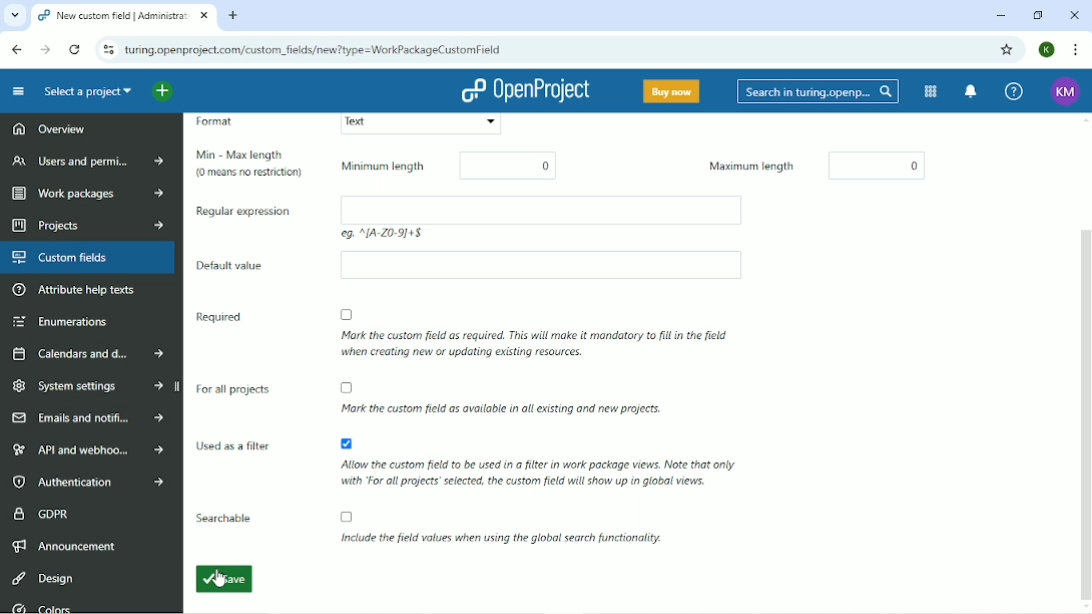 This screenshot has height=614, width=1092. What do you see at coordinates (1084, 361) in the screenshot?
I see `vertical scroll bar` at bounding box center [1084, 361].